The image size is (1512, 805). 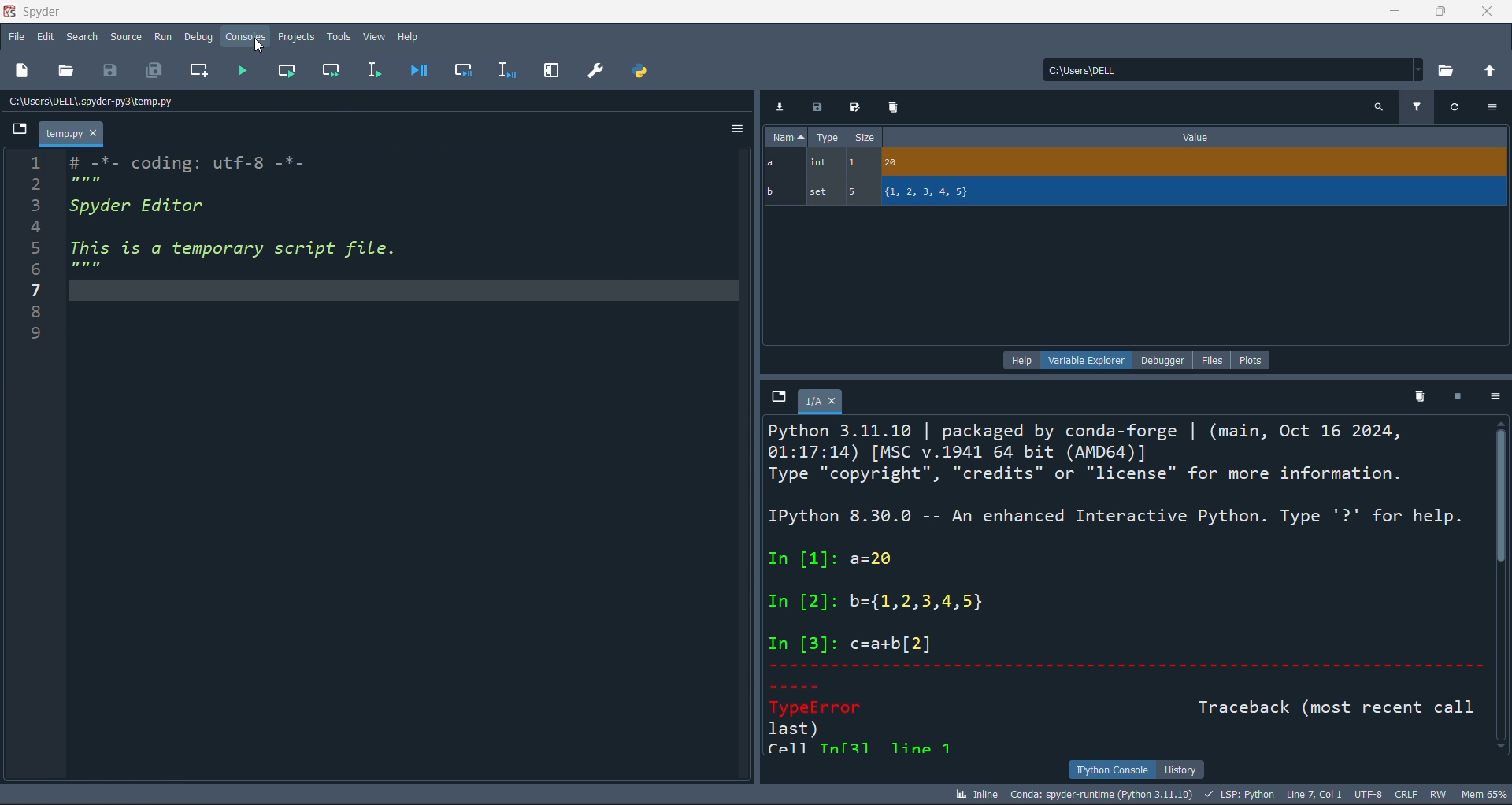 I want to click on Tools, so click(x=337, y=37).